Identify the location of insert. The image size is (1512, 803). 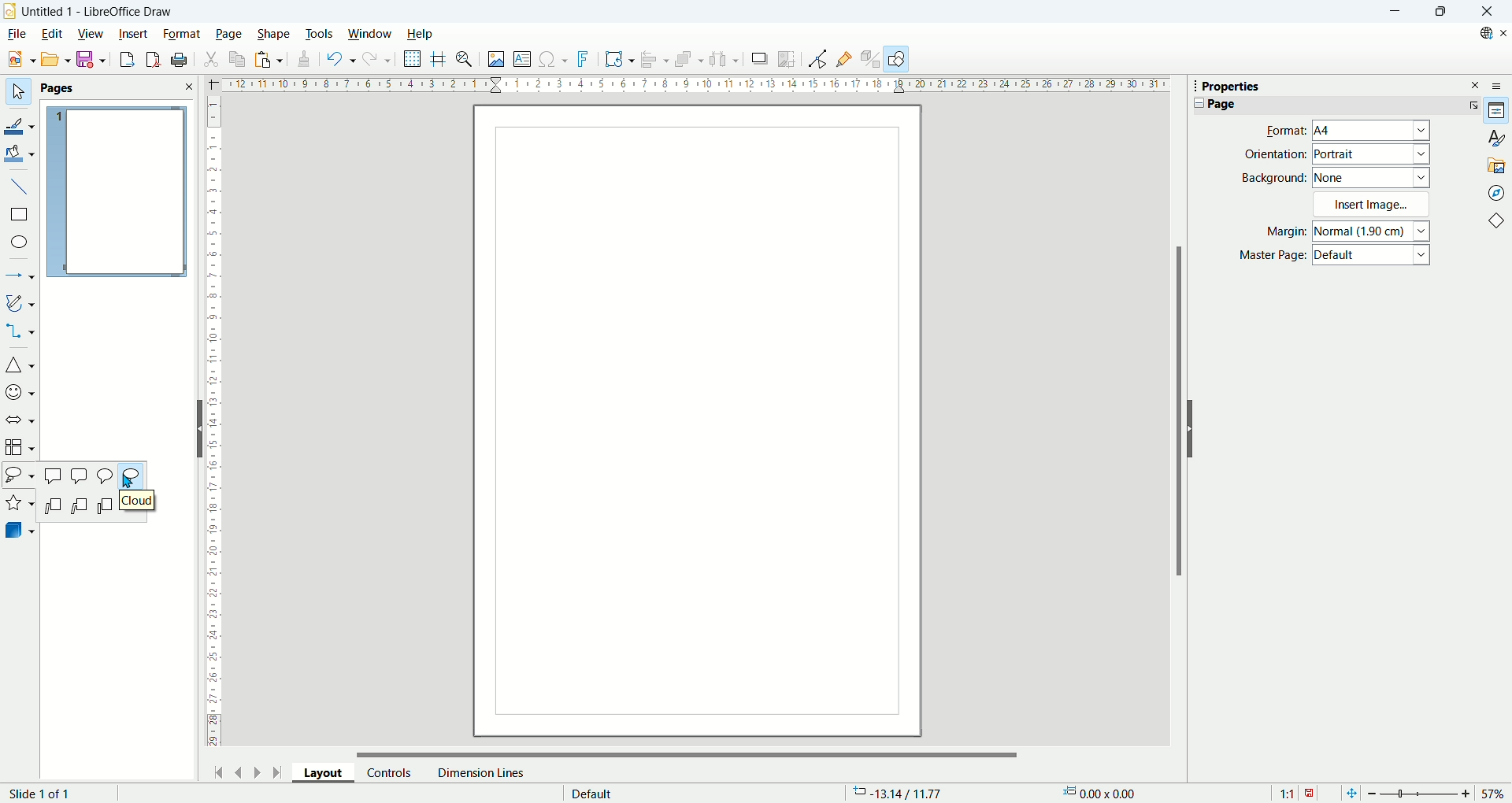
(134, 32).